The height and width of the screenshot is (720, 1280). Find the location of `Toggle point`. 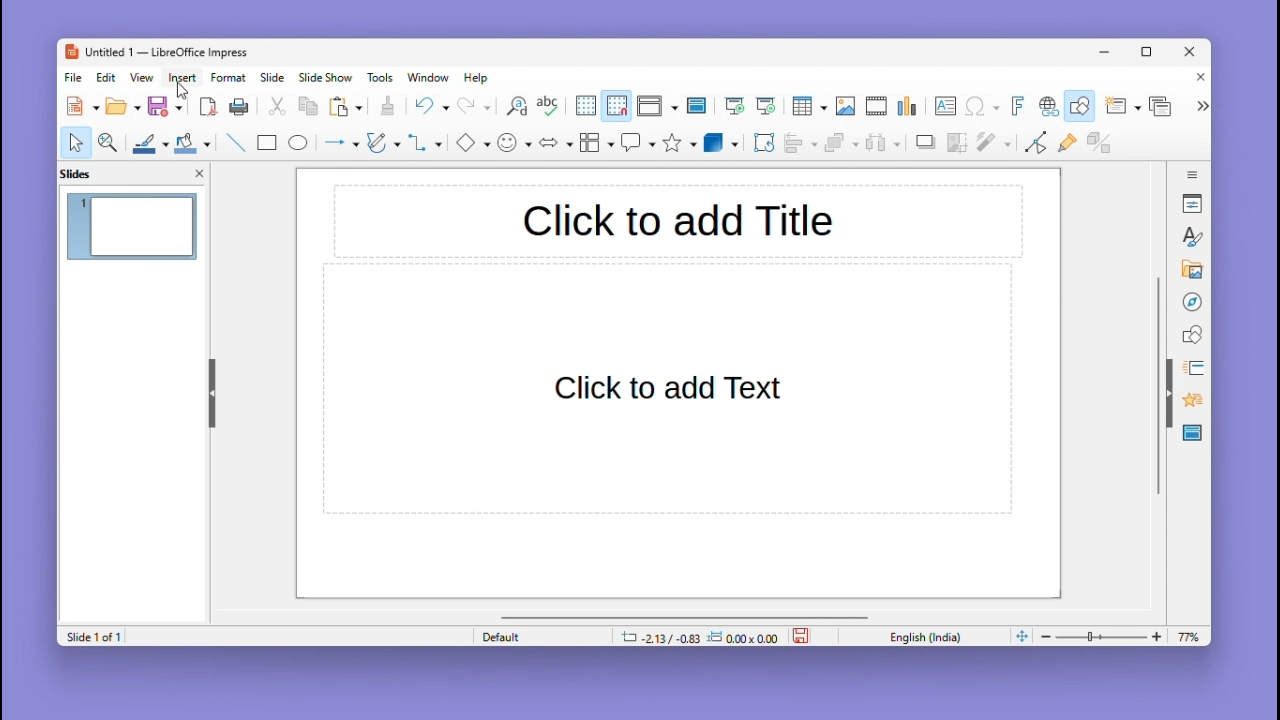

Toggle point is located at coordinates (1033, 146).